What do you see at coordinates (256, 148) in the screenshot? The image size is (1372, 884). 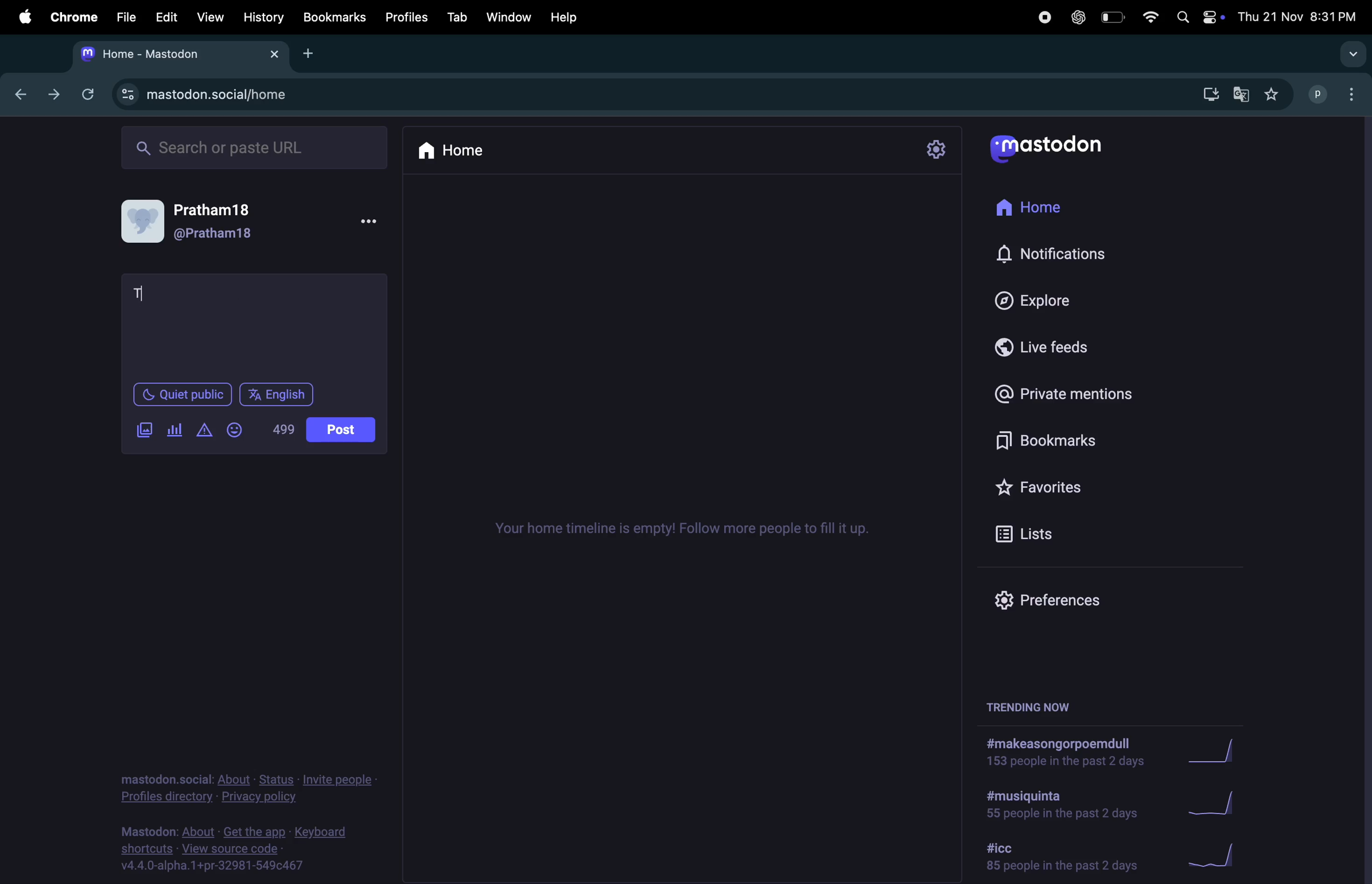 I see `searchbar` at bounding box center [256, 148].